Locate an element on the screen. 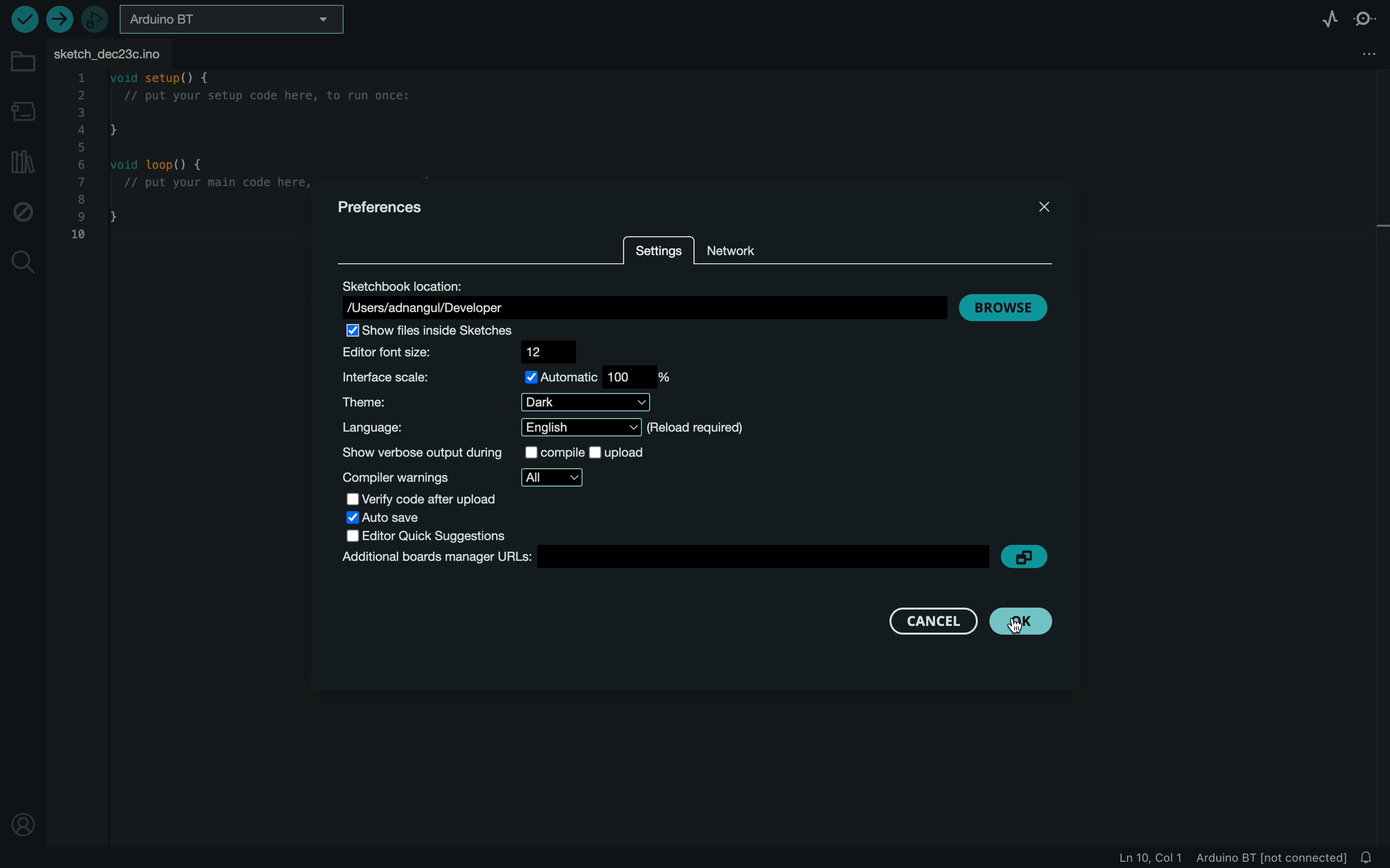  editor is located at coordinates (428, 536).